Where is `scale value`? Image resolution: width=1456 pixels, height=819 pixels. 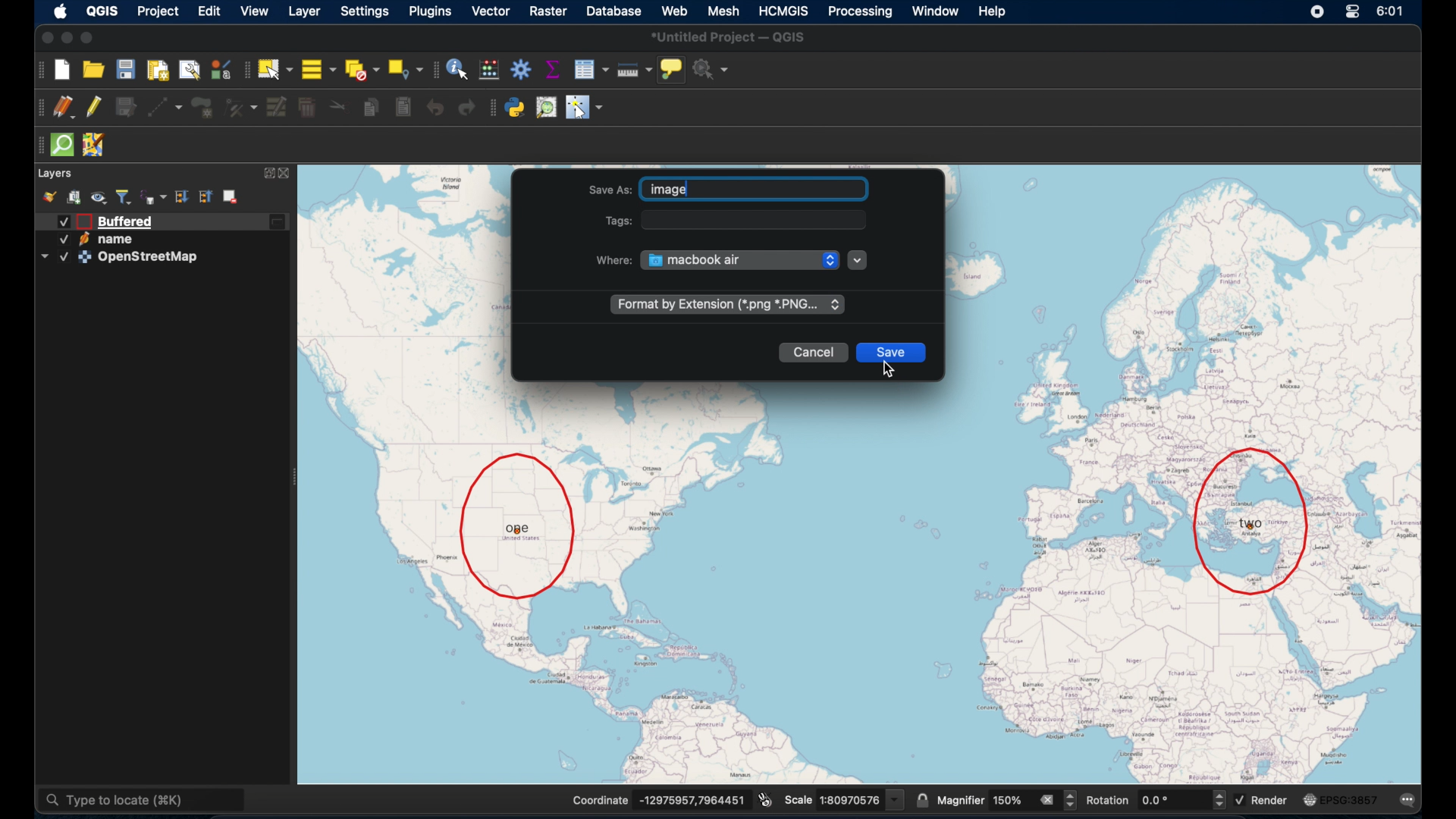
scale value is located at coordinates (861, 798).